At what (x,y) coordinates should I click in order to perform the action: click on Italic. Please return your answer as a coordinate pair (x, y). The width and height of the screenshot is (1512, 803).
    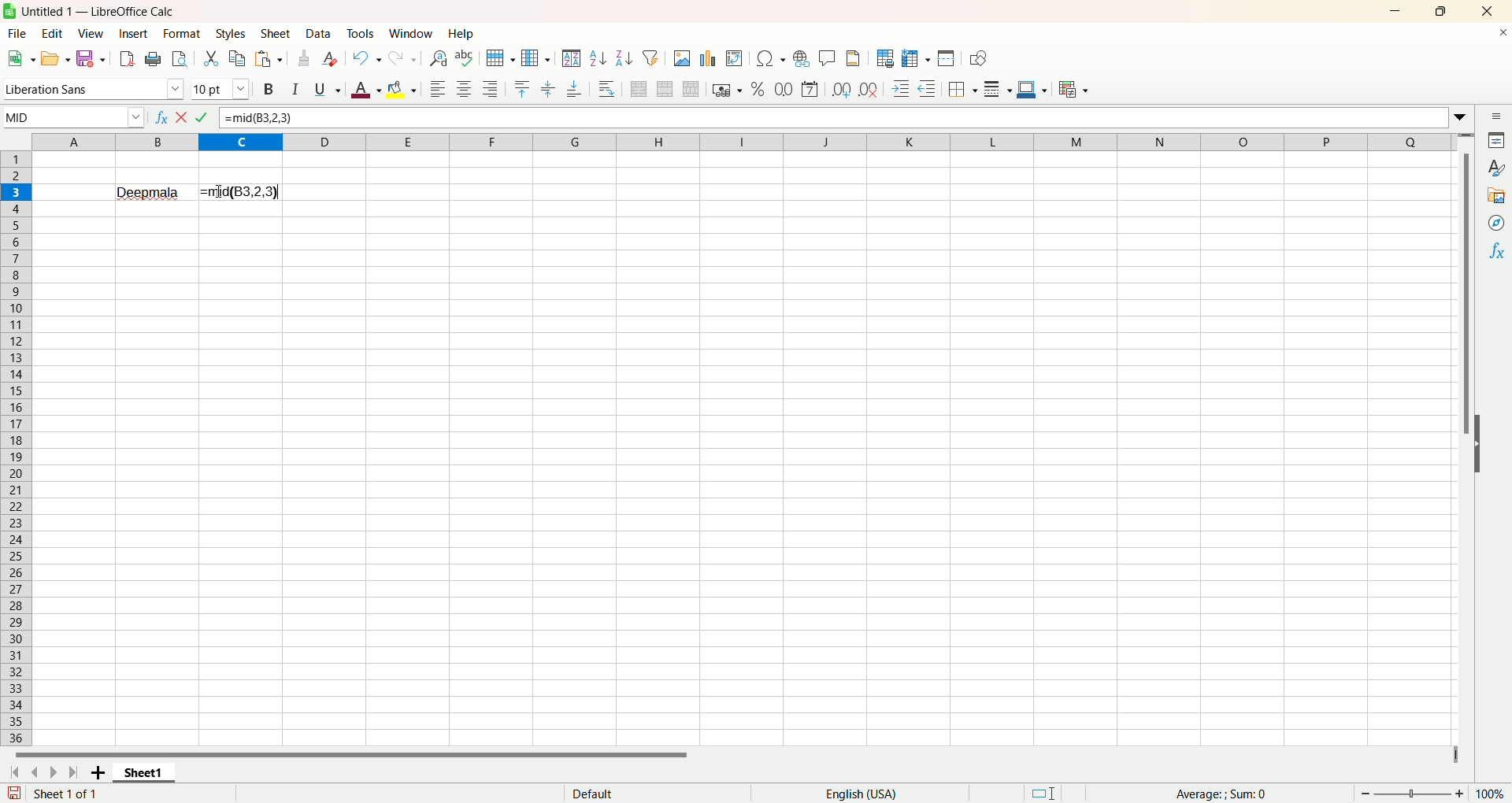
    Looking at the image, I should click on (297, 87).